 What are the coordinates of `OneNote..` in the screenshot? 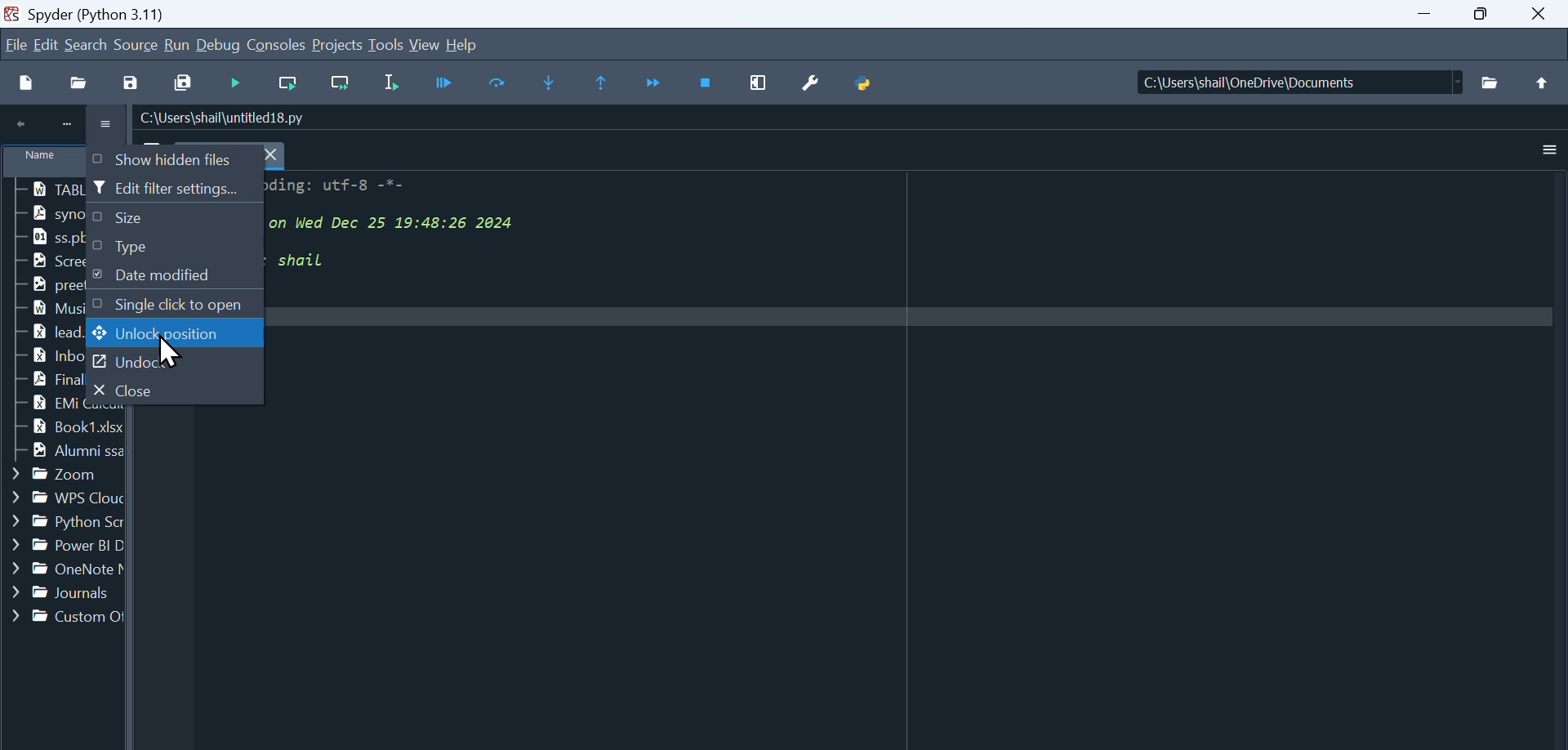 It's located at (63, 571).